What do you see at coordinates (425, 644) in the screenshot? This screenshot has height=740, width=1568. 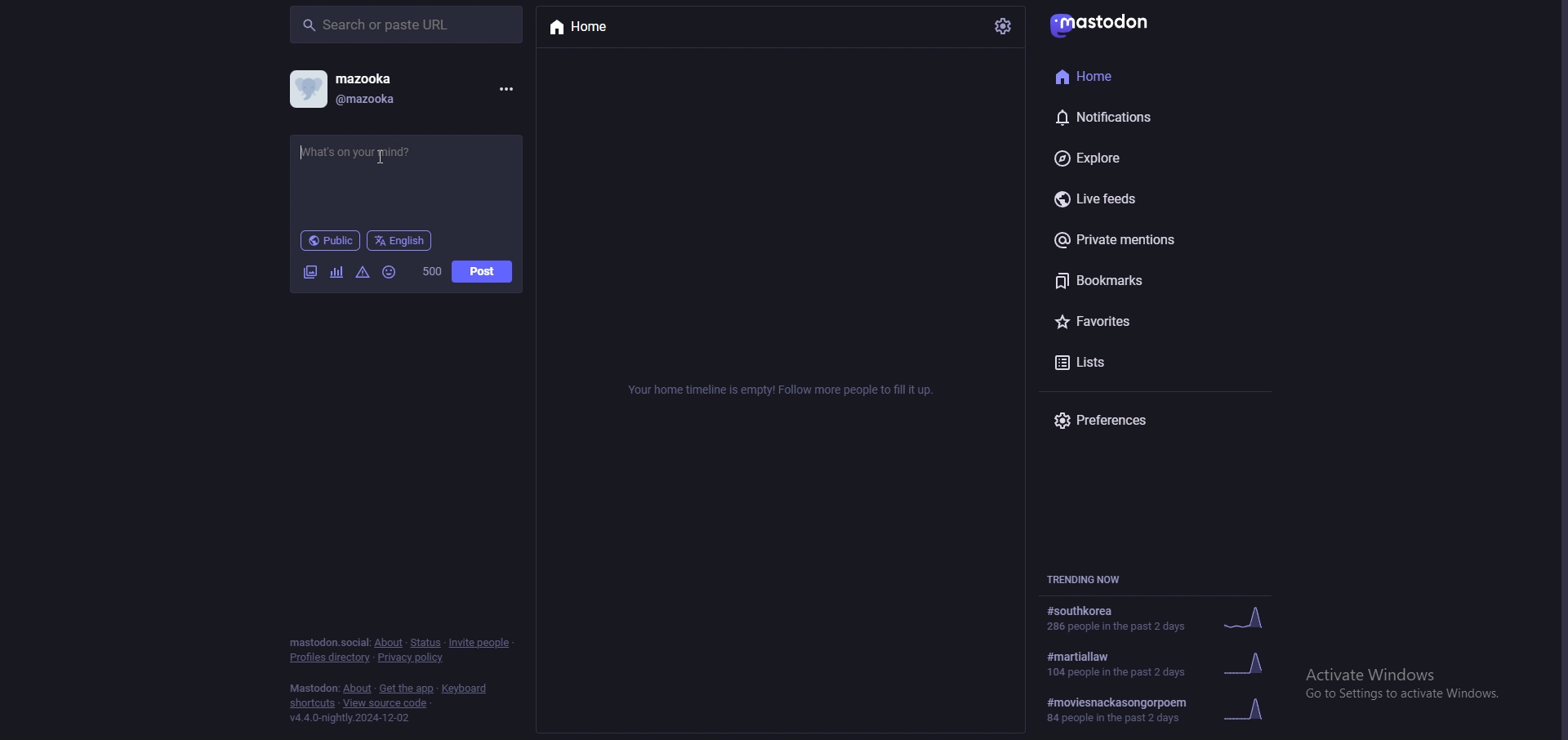 I see `status` at bounding box center [425, 644].